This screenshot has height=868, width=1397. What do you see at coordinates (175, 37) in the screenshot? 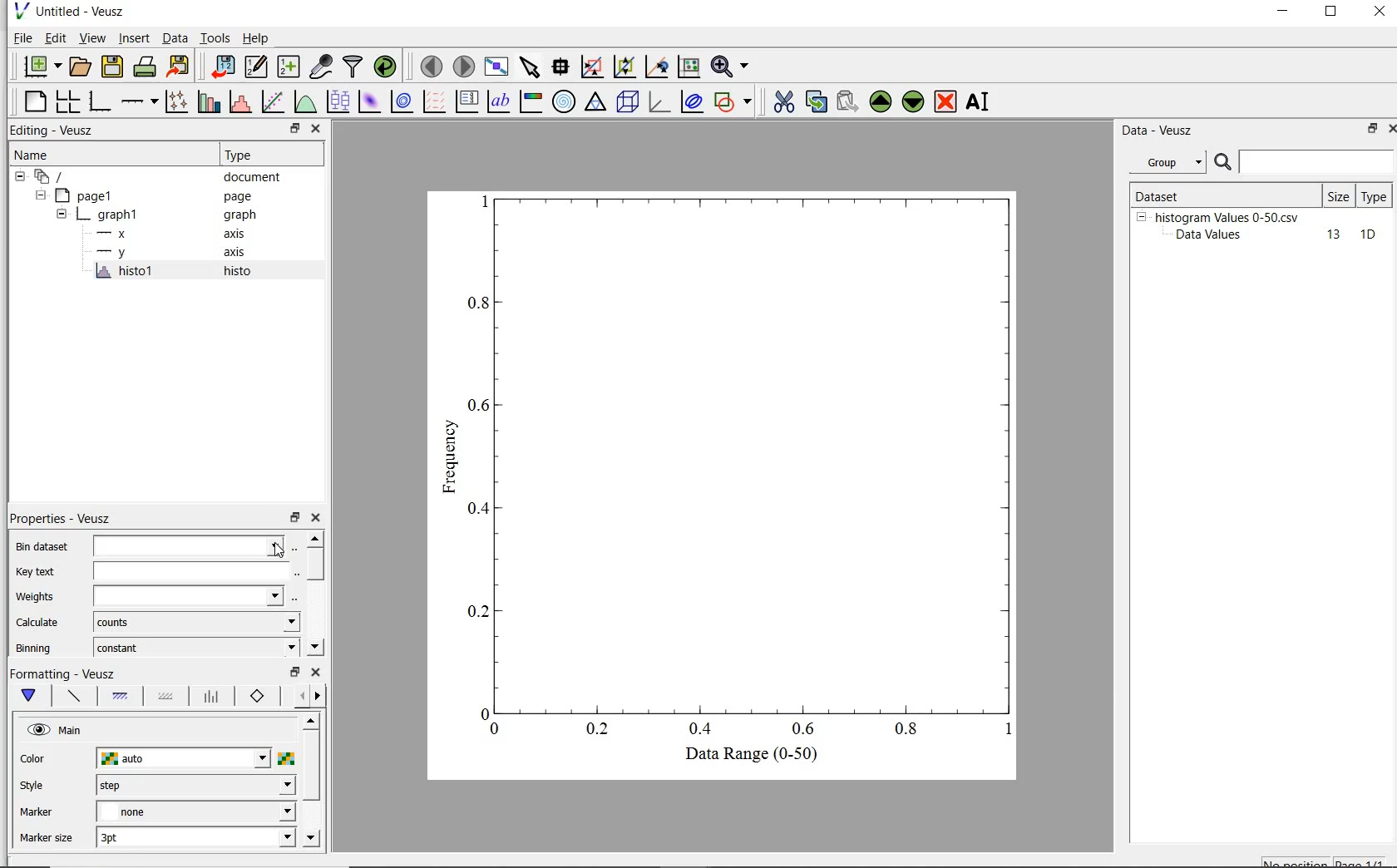
I see `Data` at bounding box center [175, 37].